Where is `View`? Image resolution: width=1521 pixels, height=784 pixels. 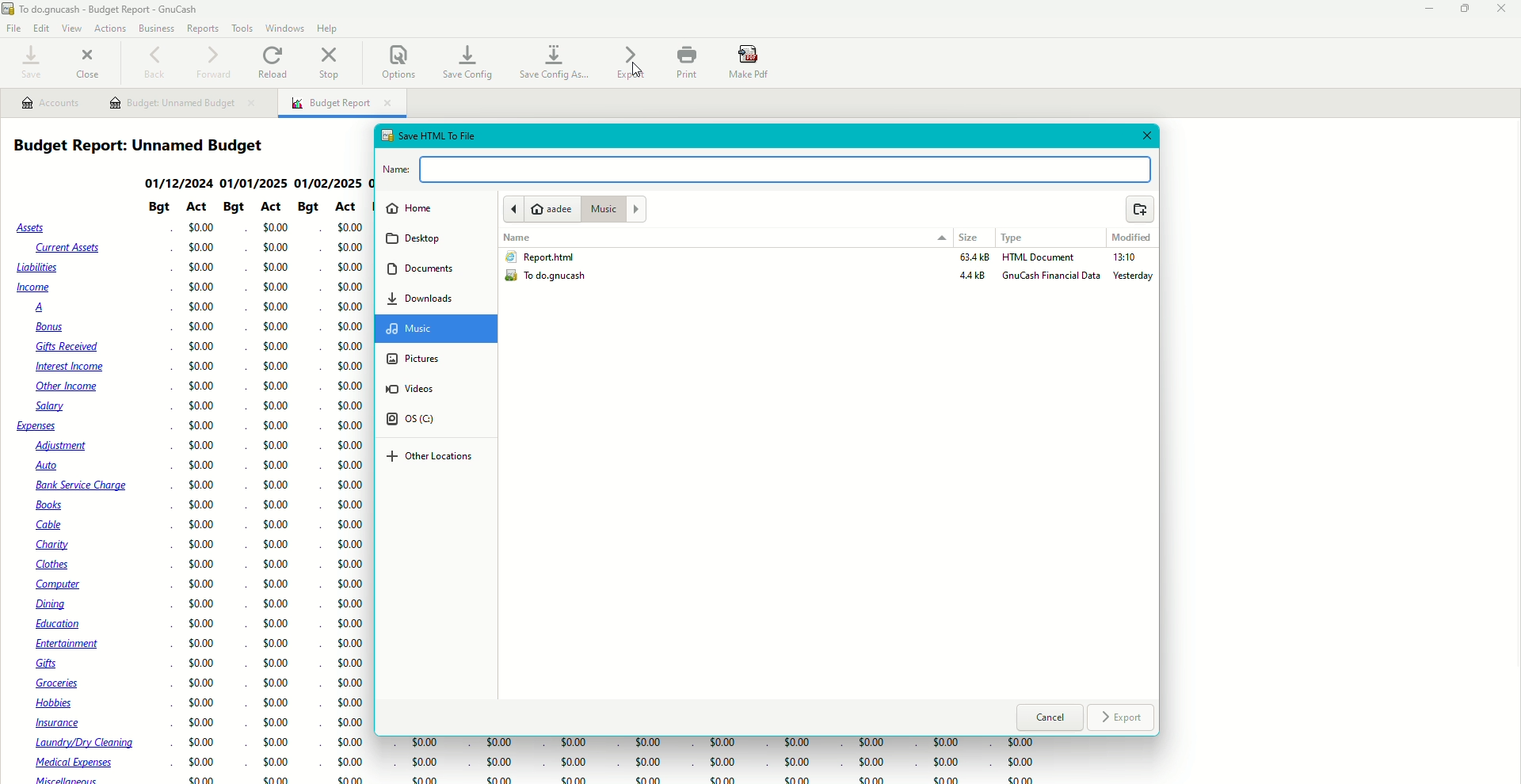
View is located at coordinates (71, 29).